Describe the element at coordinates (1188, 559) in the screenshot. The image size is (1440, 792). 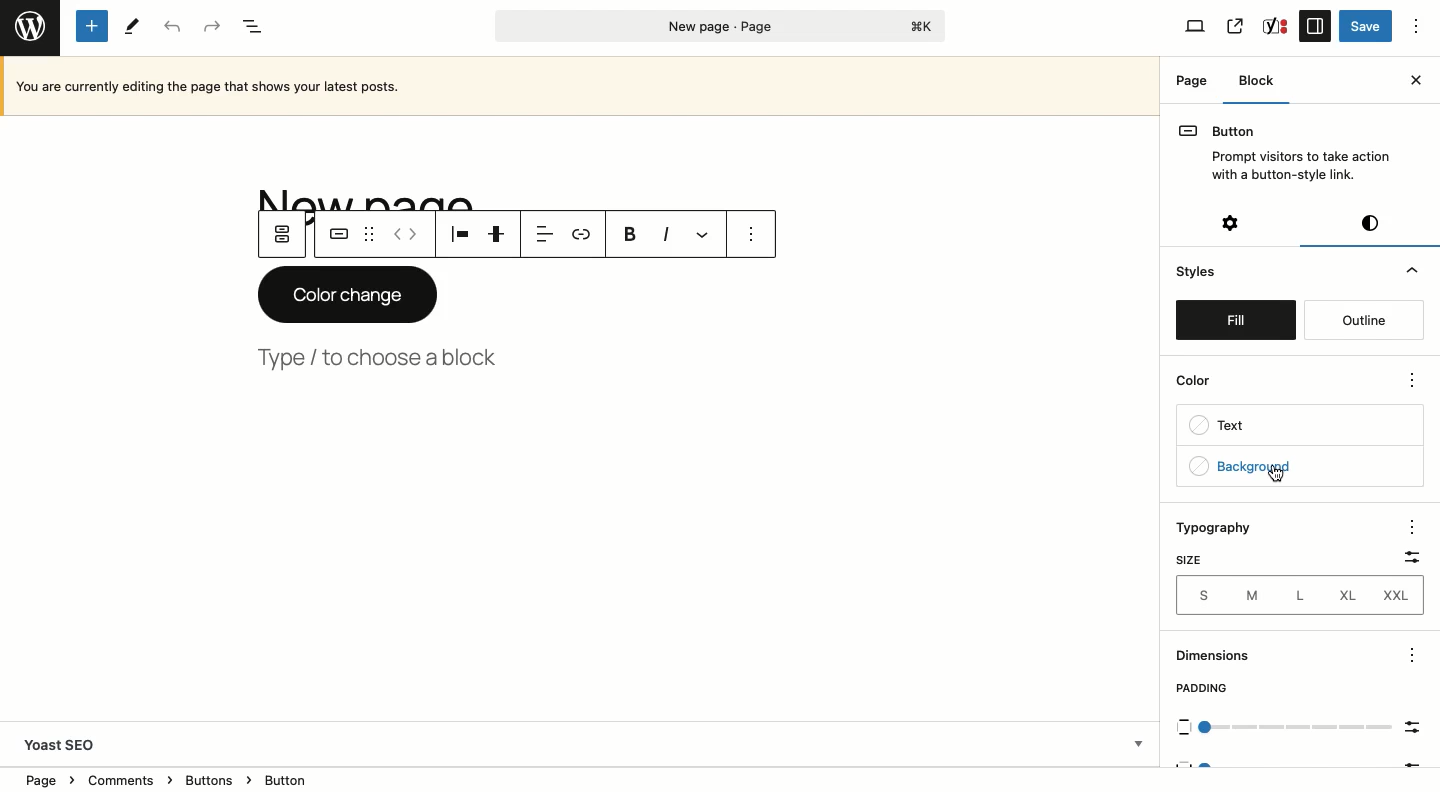
I see `Size` at that location.